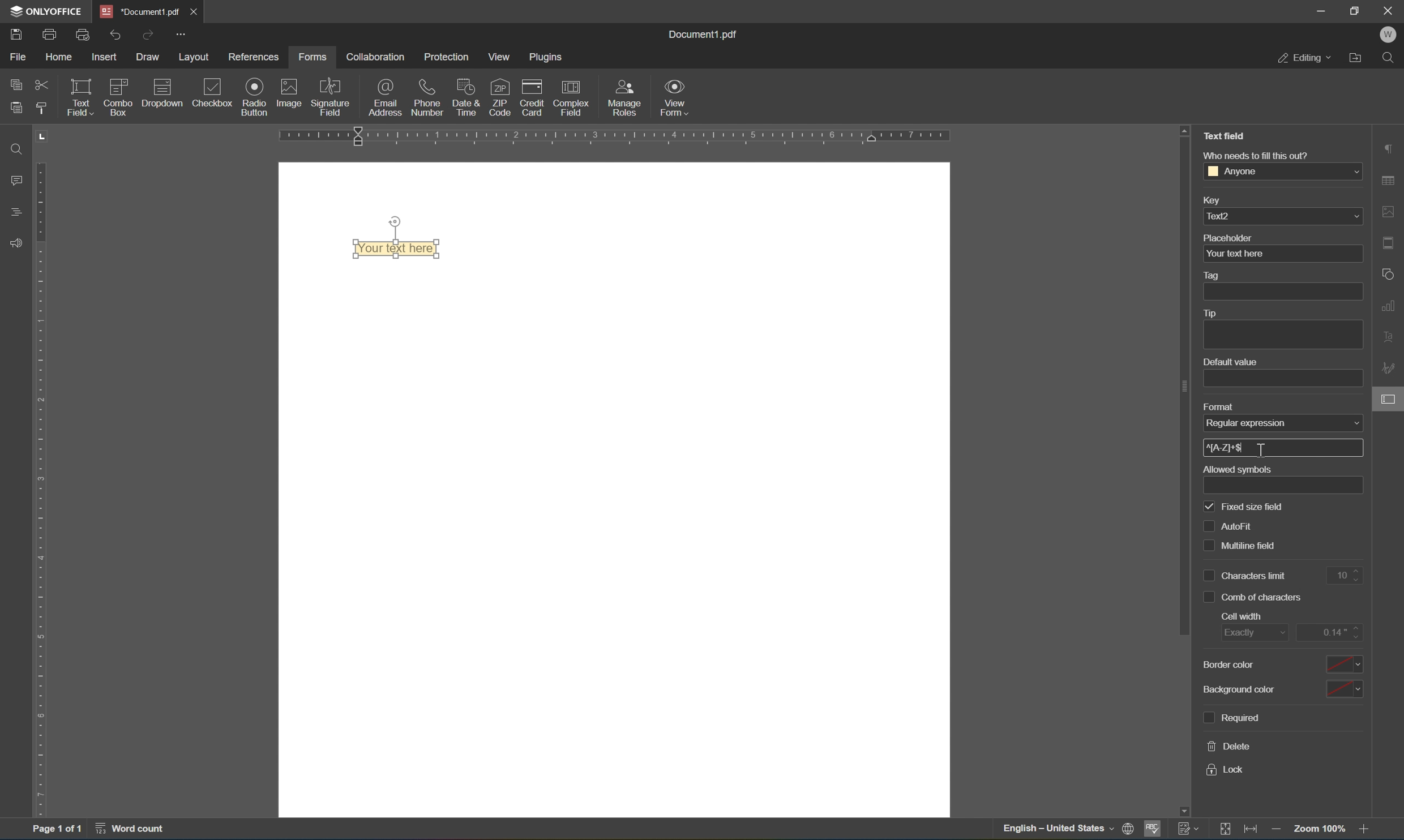 This screenshot has height=840, width=1404. Describe the element at coordinates (79, 96) in the screenshot. I see `text field` at that location.